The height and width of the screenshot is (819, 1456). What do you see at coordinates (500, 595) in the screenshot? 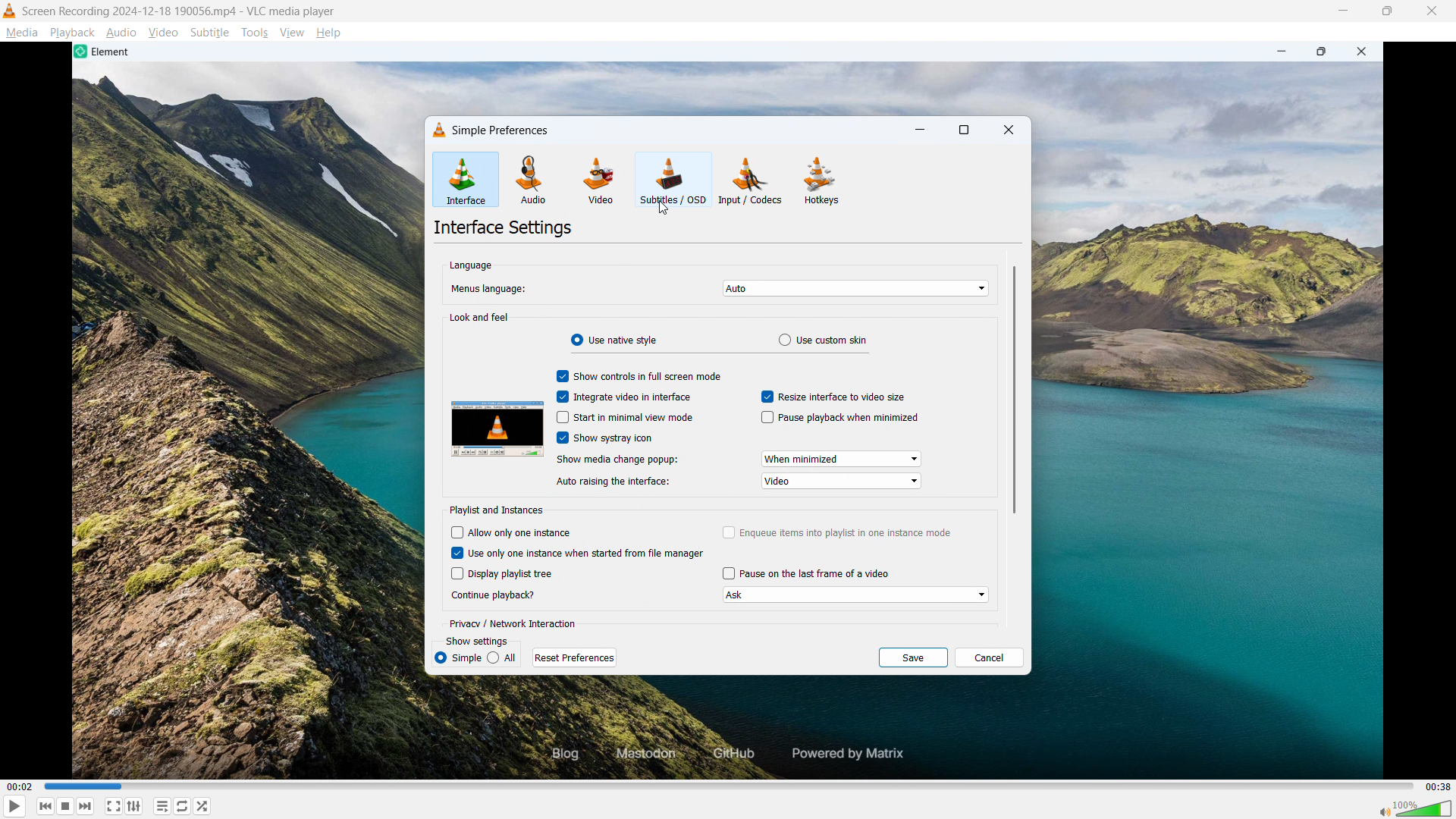
I see `Continue playback?` at bounding box center [500, 595].